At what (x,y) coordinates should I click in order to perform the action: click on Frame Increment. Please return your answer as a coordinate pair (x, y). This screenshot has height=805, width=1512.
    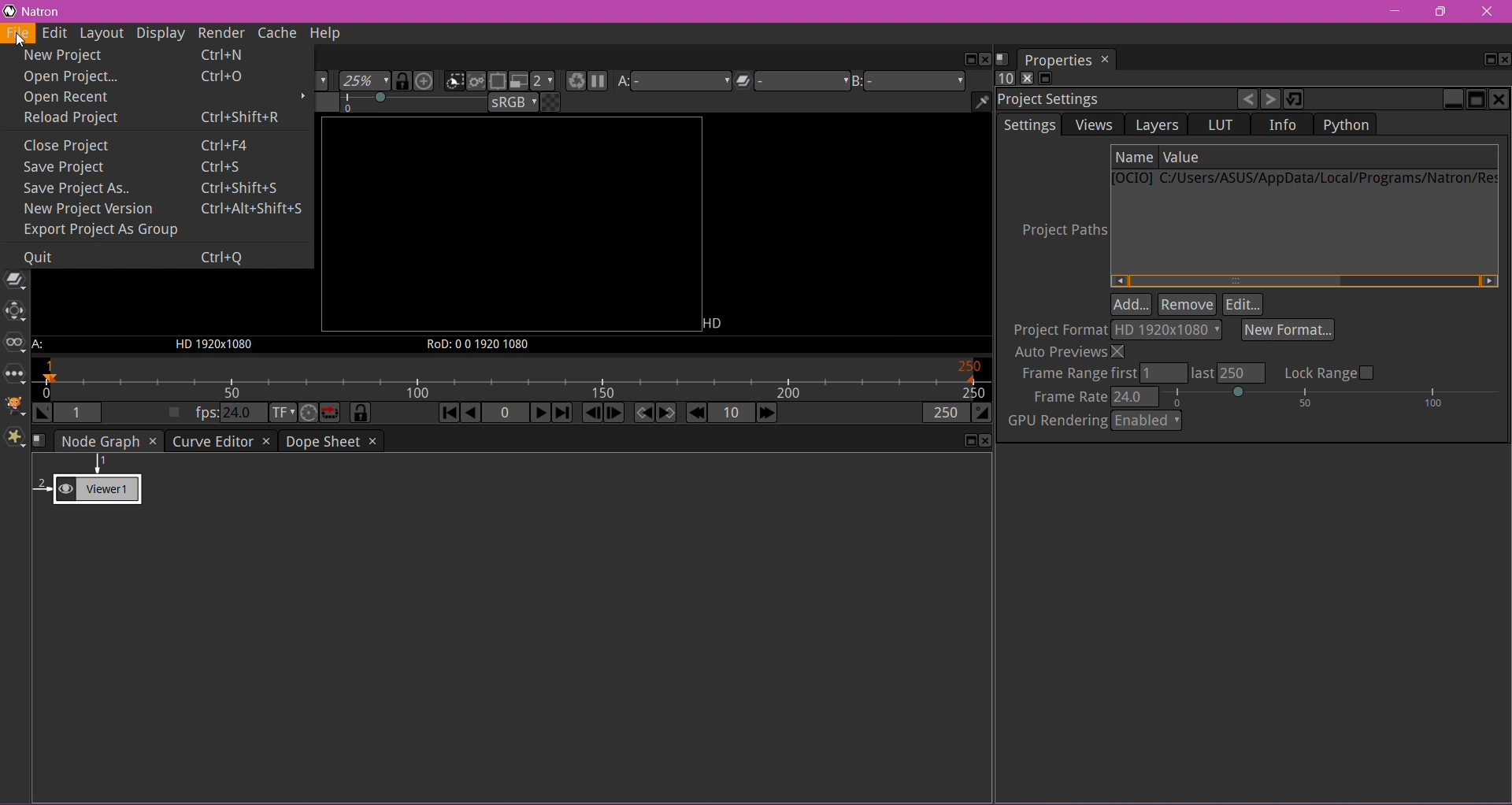
    Looking at the image, I should click on (730, 414).